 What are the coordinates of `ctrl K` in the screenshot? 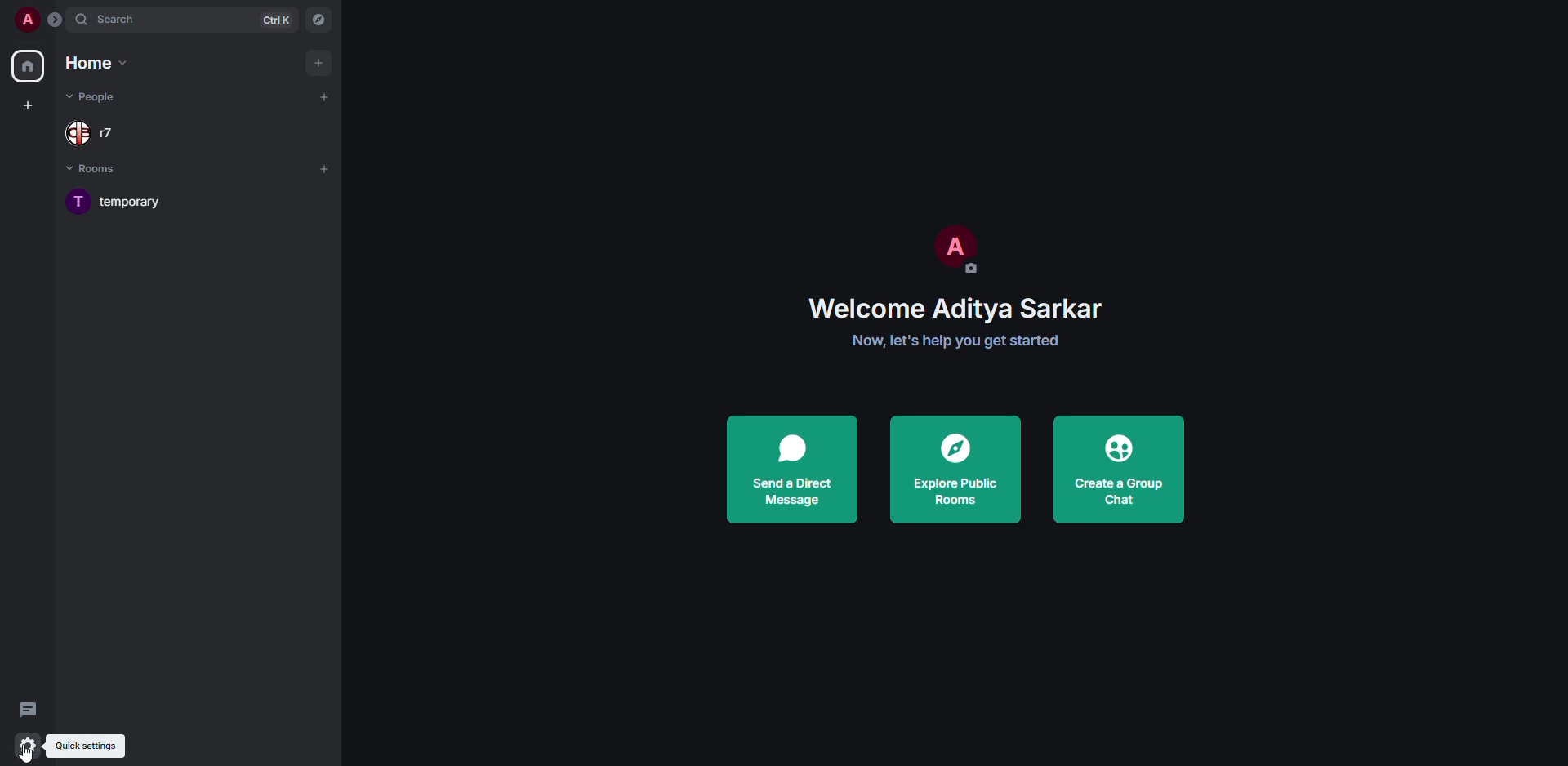 It's located at (277, 20).